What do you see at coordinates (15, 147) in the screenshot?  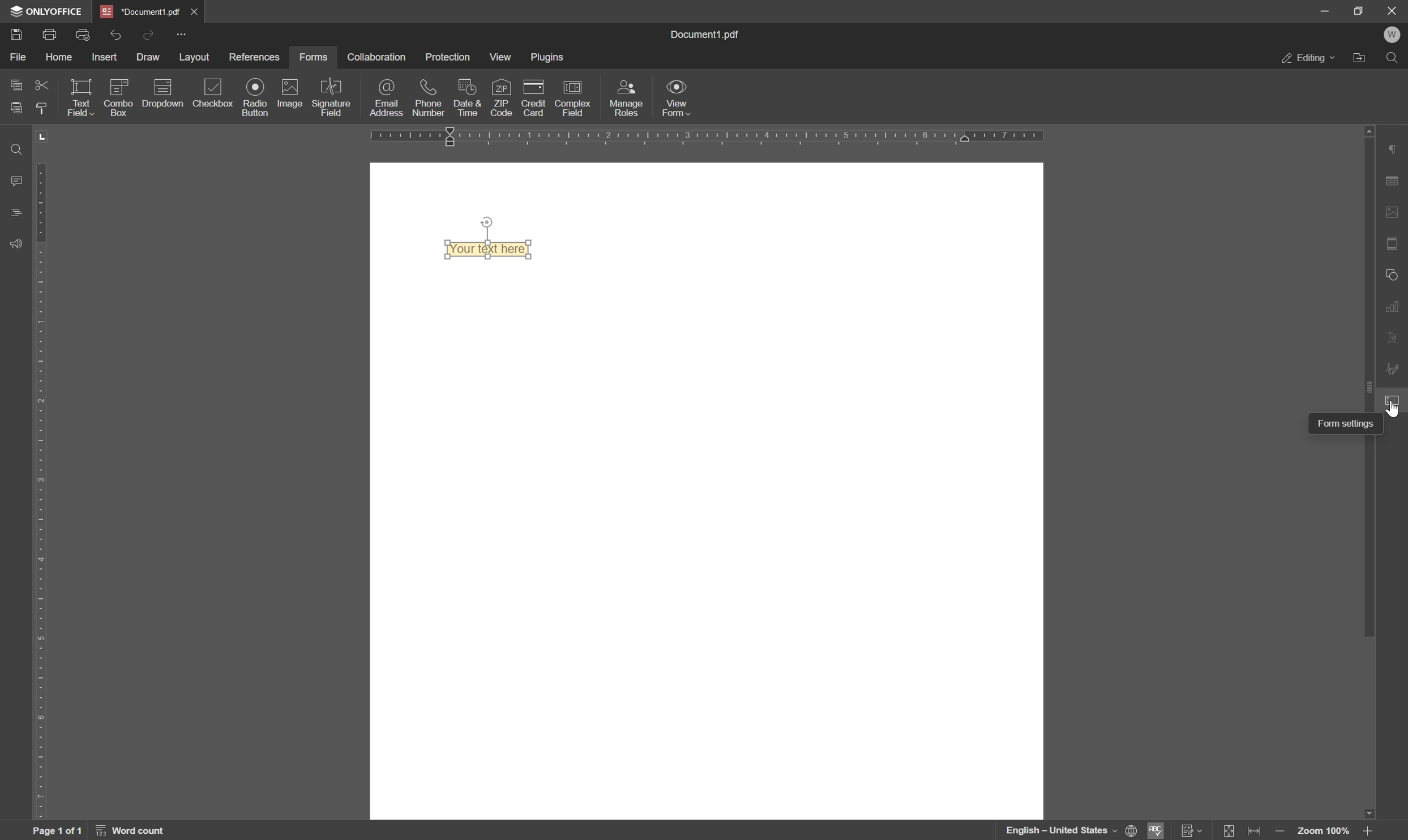 I see `find` at bounding box center [15, 147].